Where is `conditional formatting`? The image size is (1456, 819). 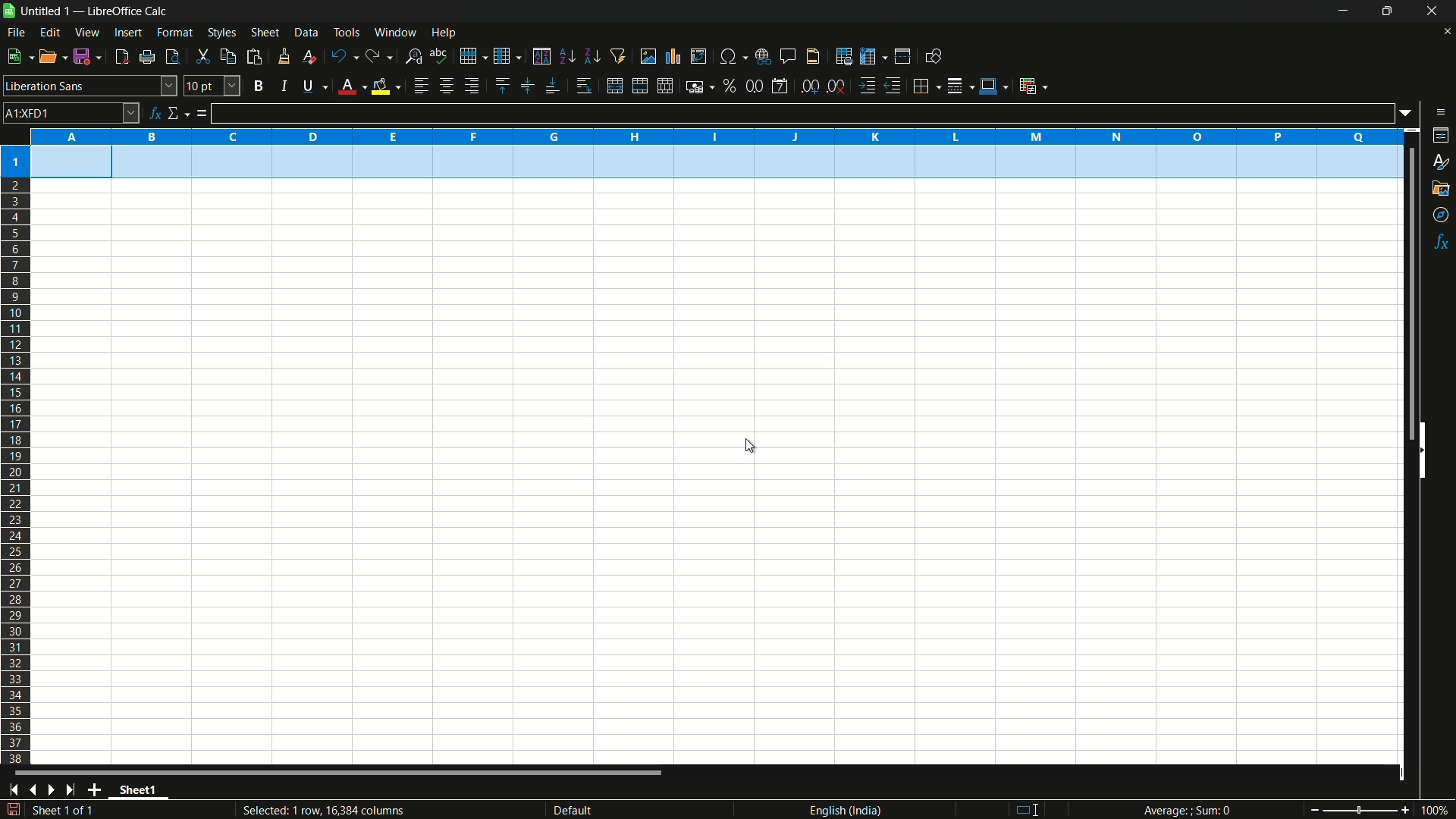
conditional formatting is located at coordinates (1032, 86).